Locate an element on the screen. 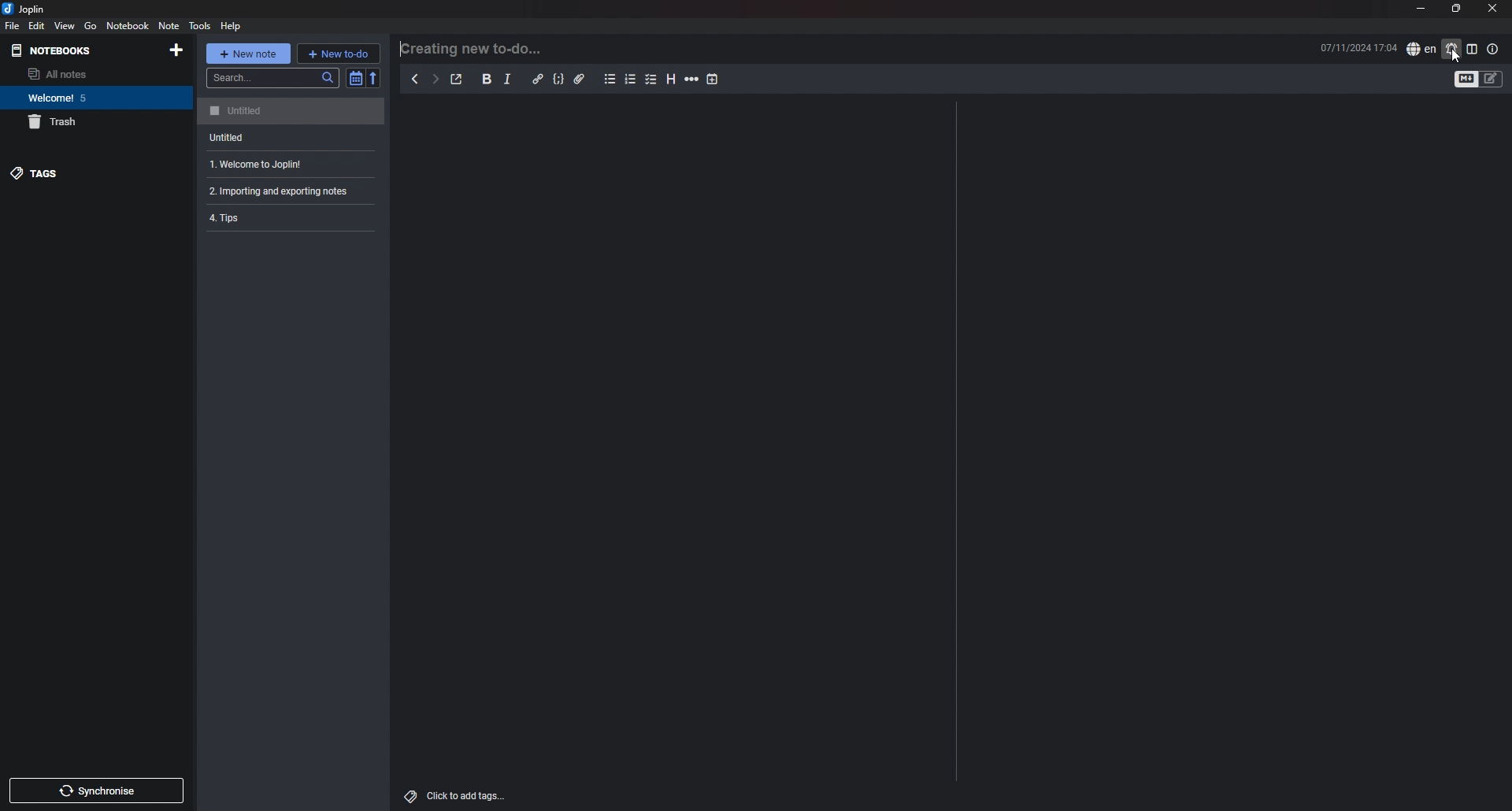 Image resolution: width=1512 pixels, height=811 pixels. bullet list is located at coordinates (610, 80).